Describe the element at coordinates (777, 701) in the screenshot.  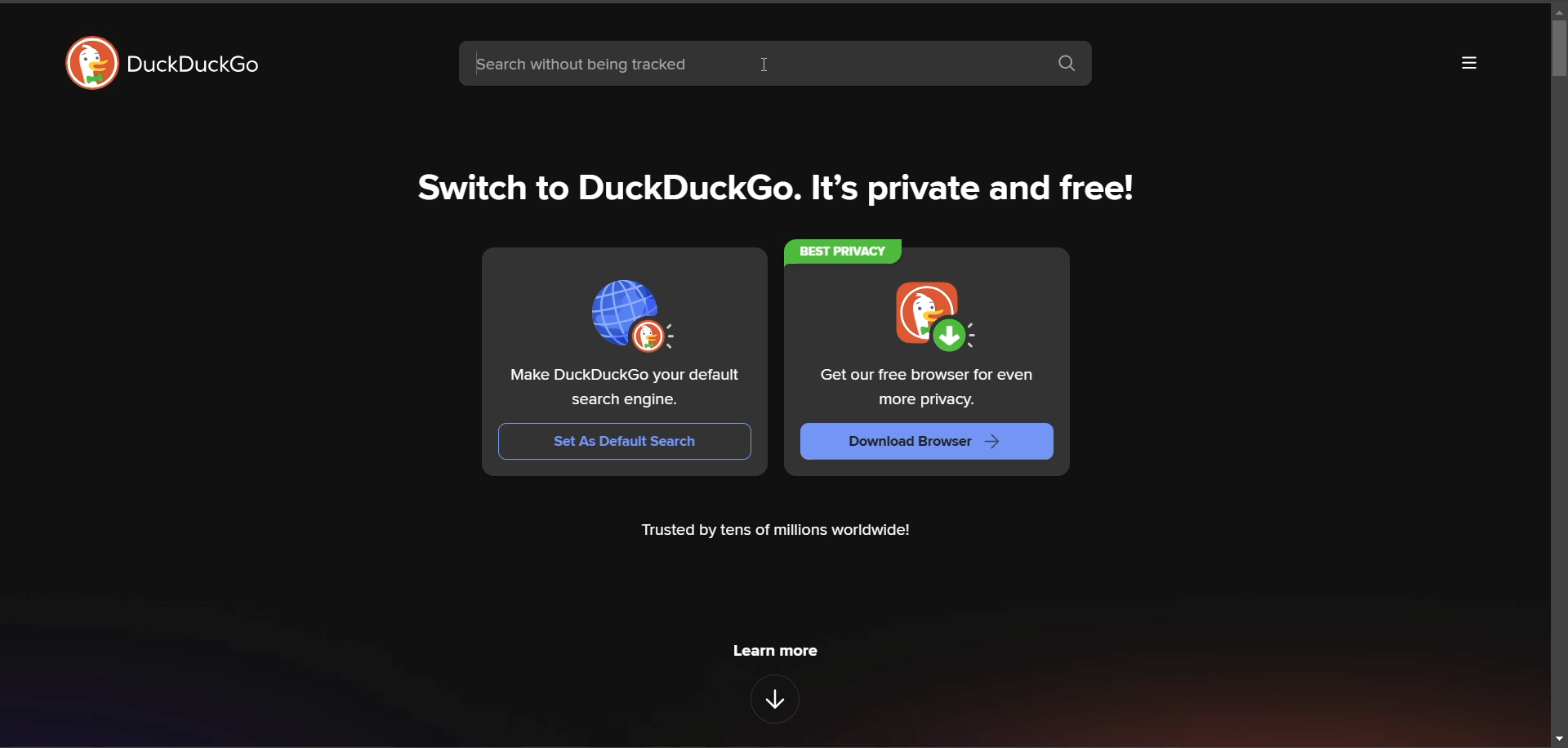
I see `features` at that location.